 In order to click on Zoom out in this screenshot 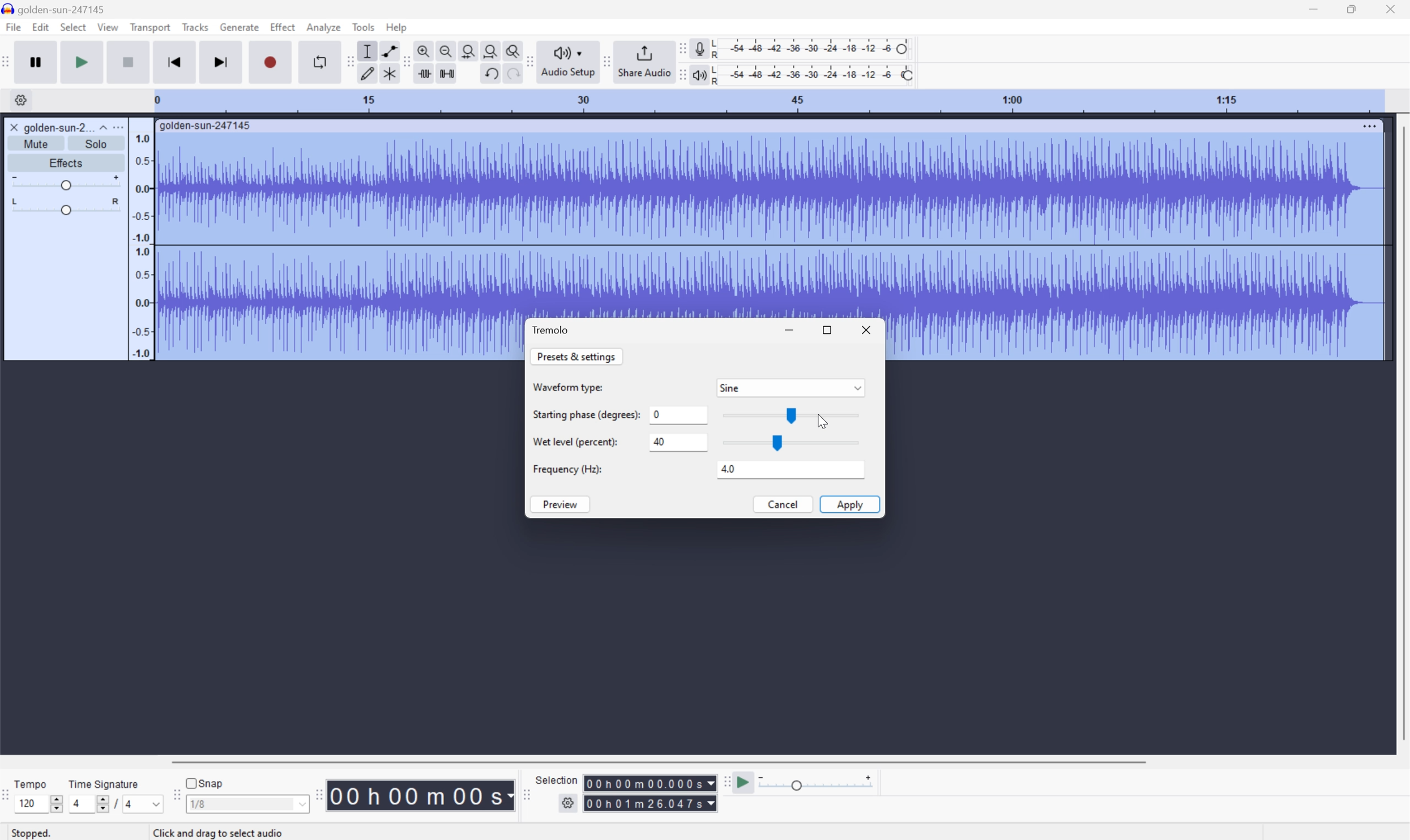, I will do `click(446, 50)`.